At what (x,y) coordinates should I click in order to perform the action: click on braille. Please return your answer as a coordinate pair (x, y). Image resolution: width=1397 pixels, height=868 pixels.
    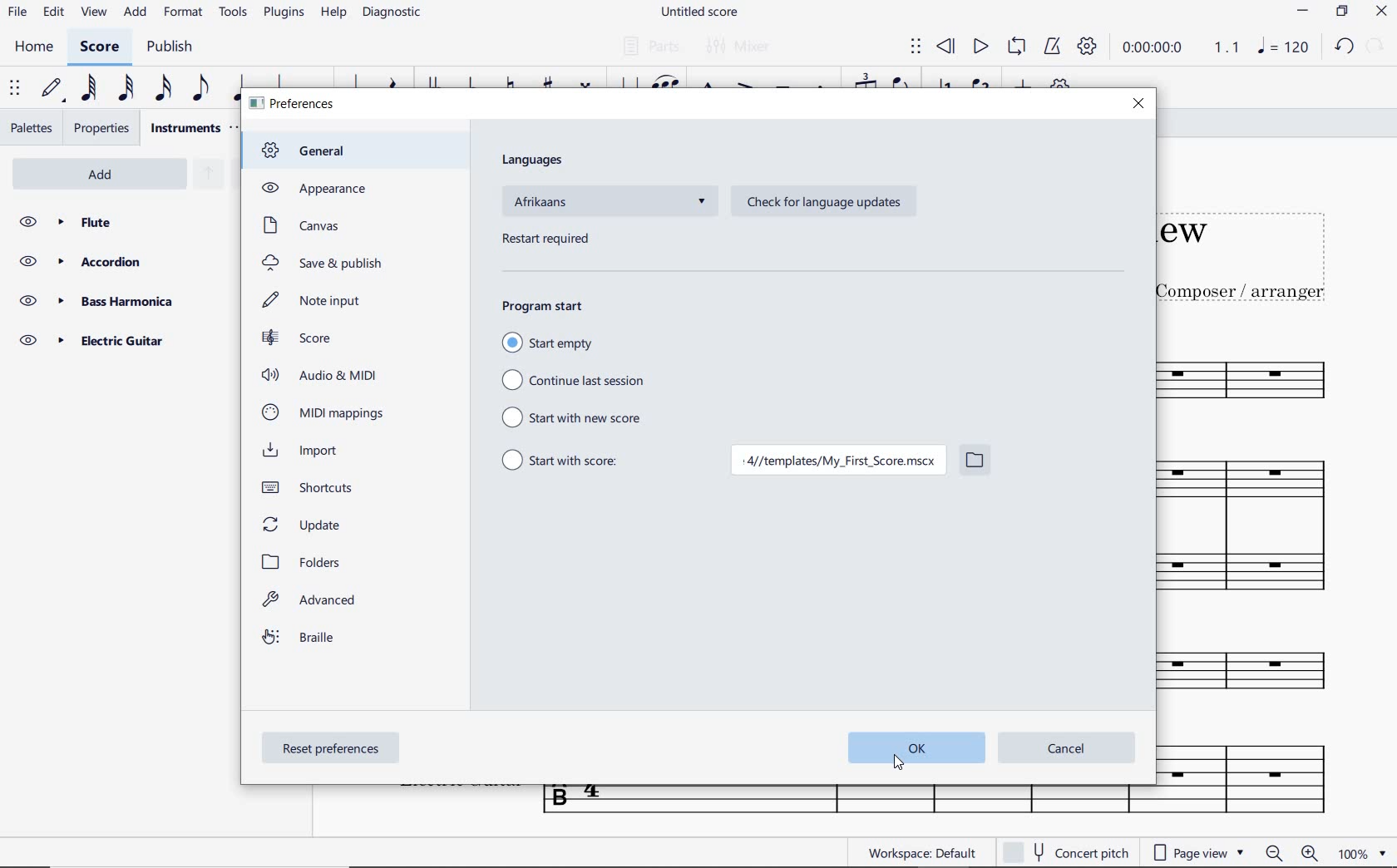
    Looking at the image, I should click on (301, 640).